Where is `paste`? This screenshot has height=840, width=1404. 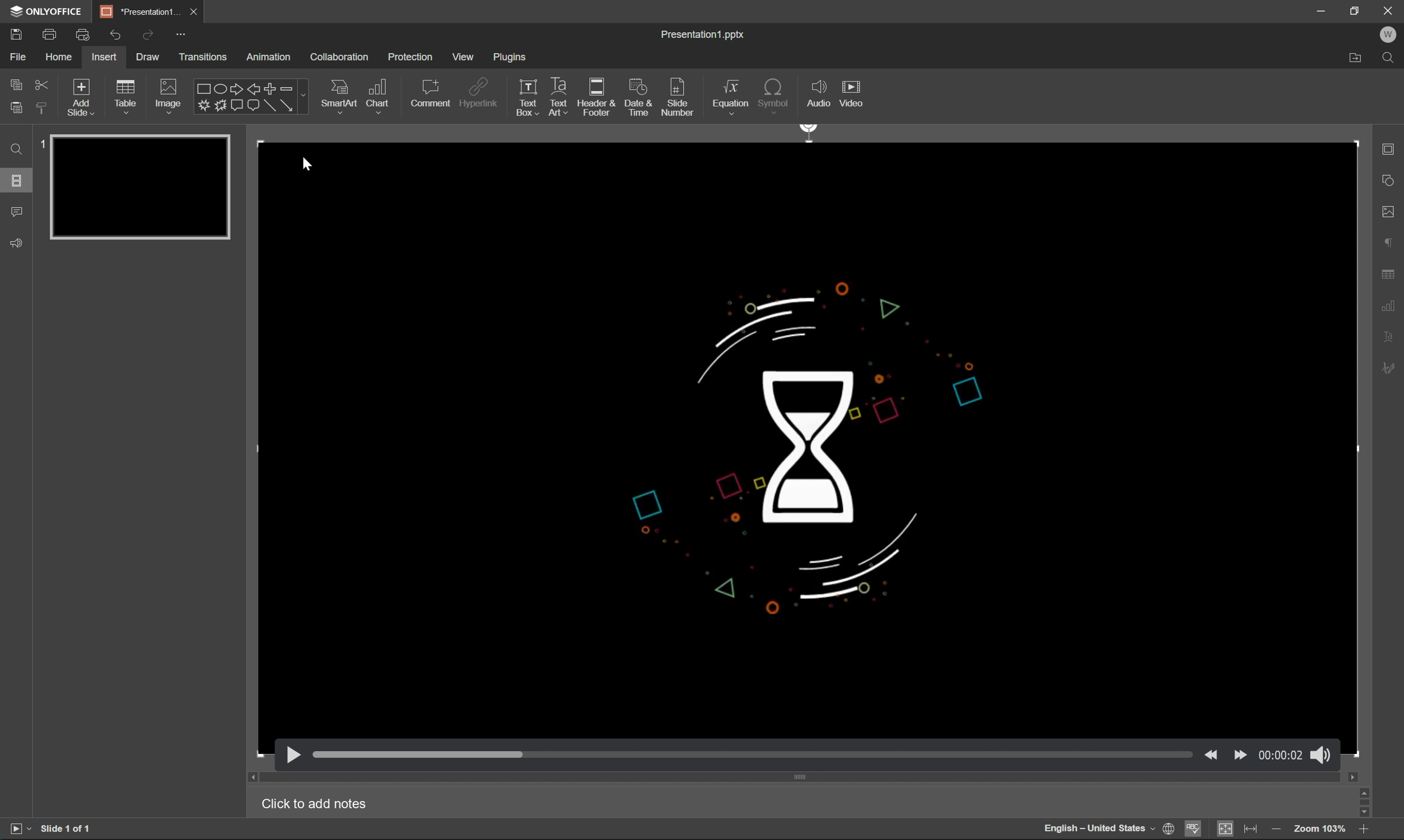 paste is located at coordinates (16, 108).